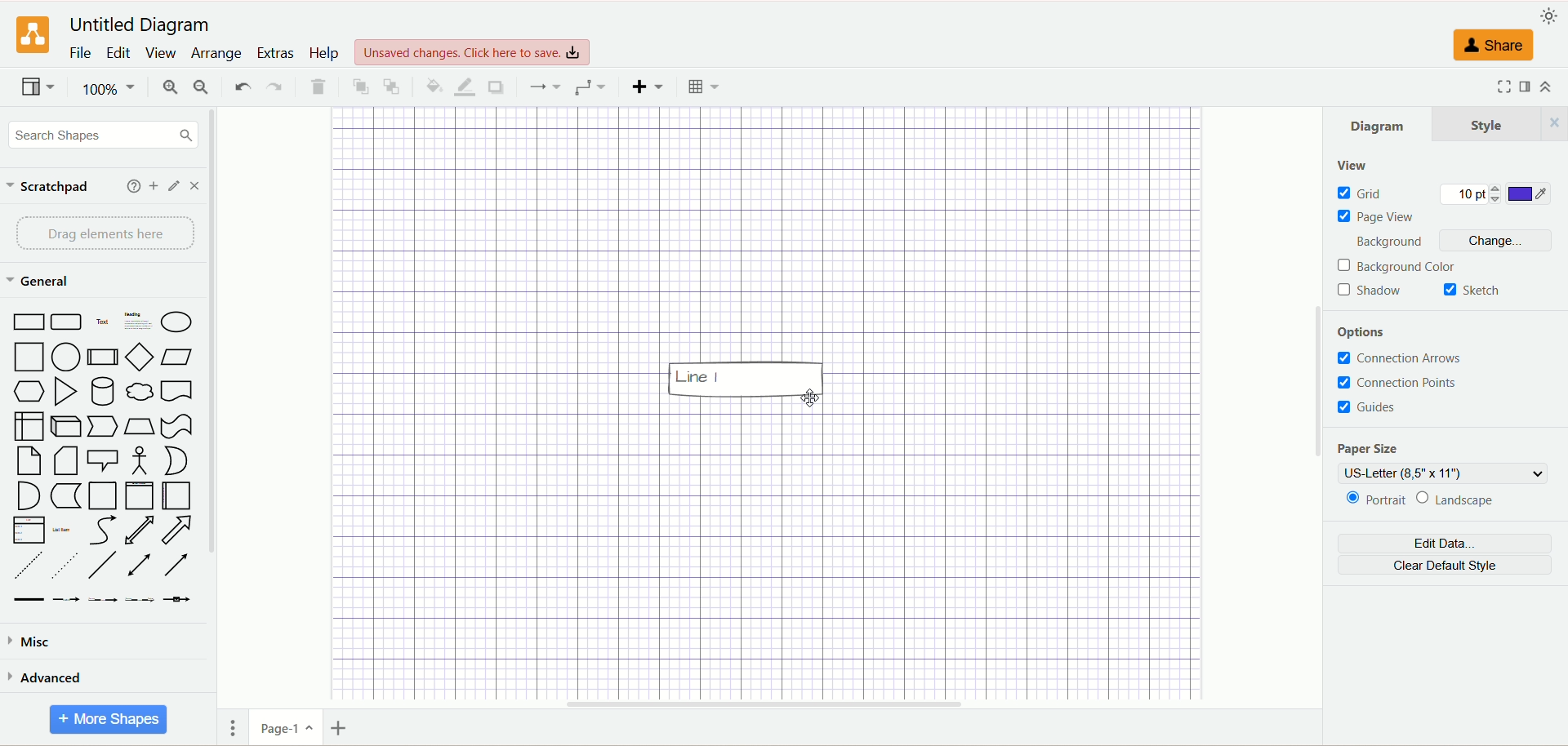  I want to click on page-1, so click(285, 727).